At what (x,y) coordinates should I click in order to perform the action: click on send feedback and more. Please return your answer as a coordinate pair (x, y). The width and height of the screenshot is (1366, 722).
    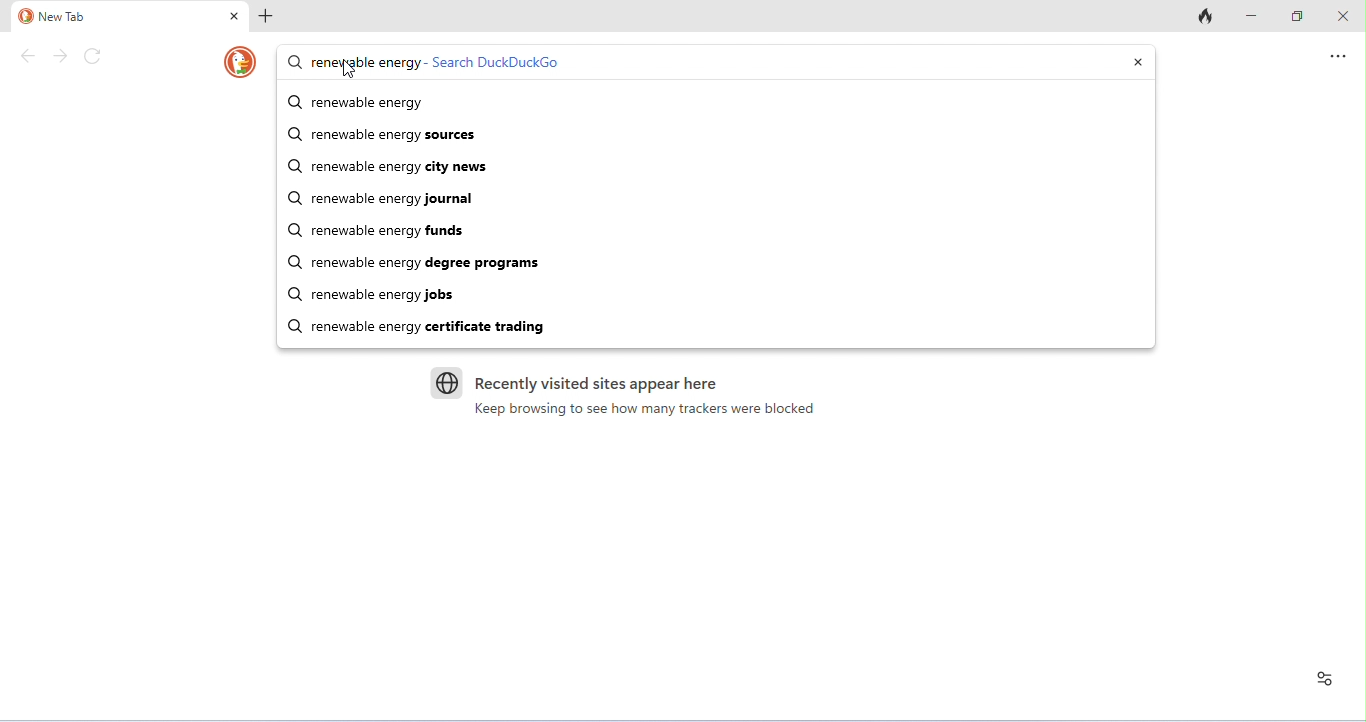
    Looking at the image, I should click on (1338, 56).